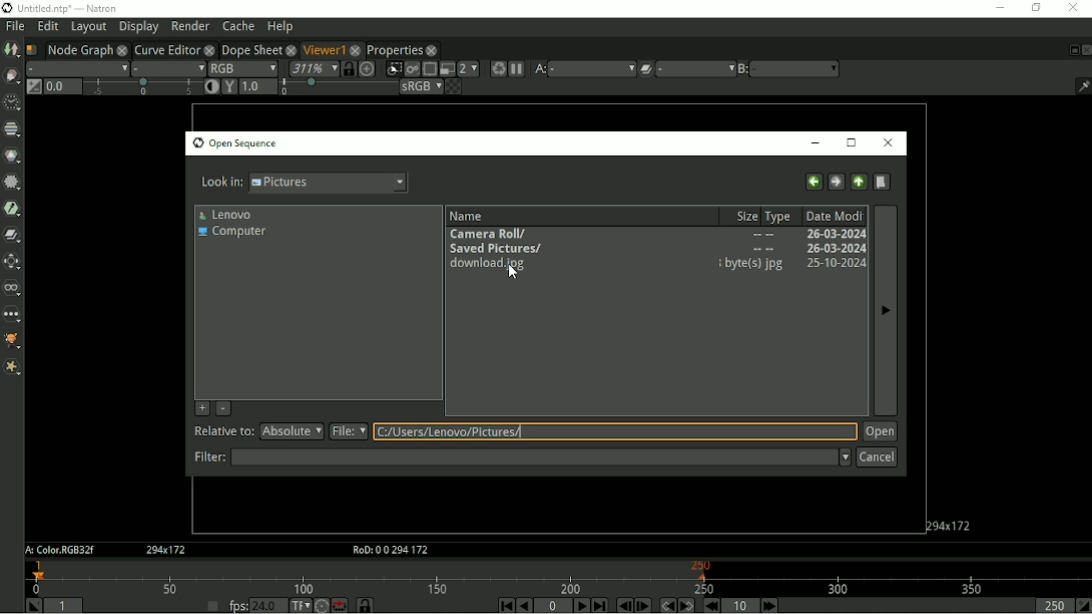 The height and width of the screenshot is (614, 1092). I want to click on Checkerboard, so click(453, 87).